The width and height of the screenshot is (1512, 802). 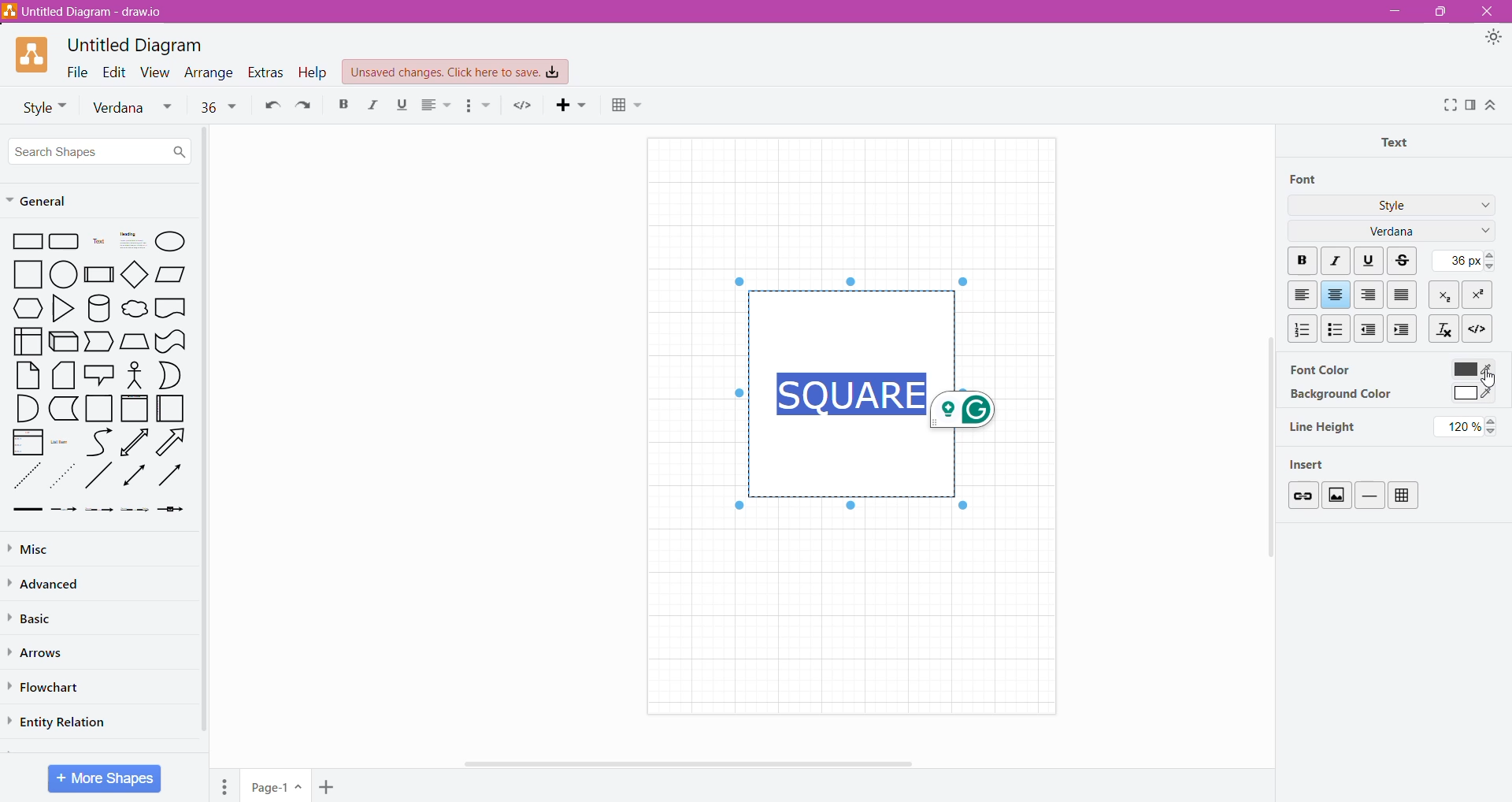 What do you see at coordinates (23, 274) in the screenshot?
I see `square` at bounding box center [23, 274].